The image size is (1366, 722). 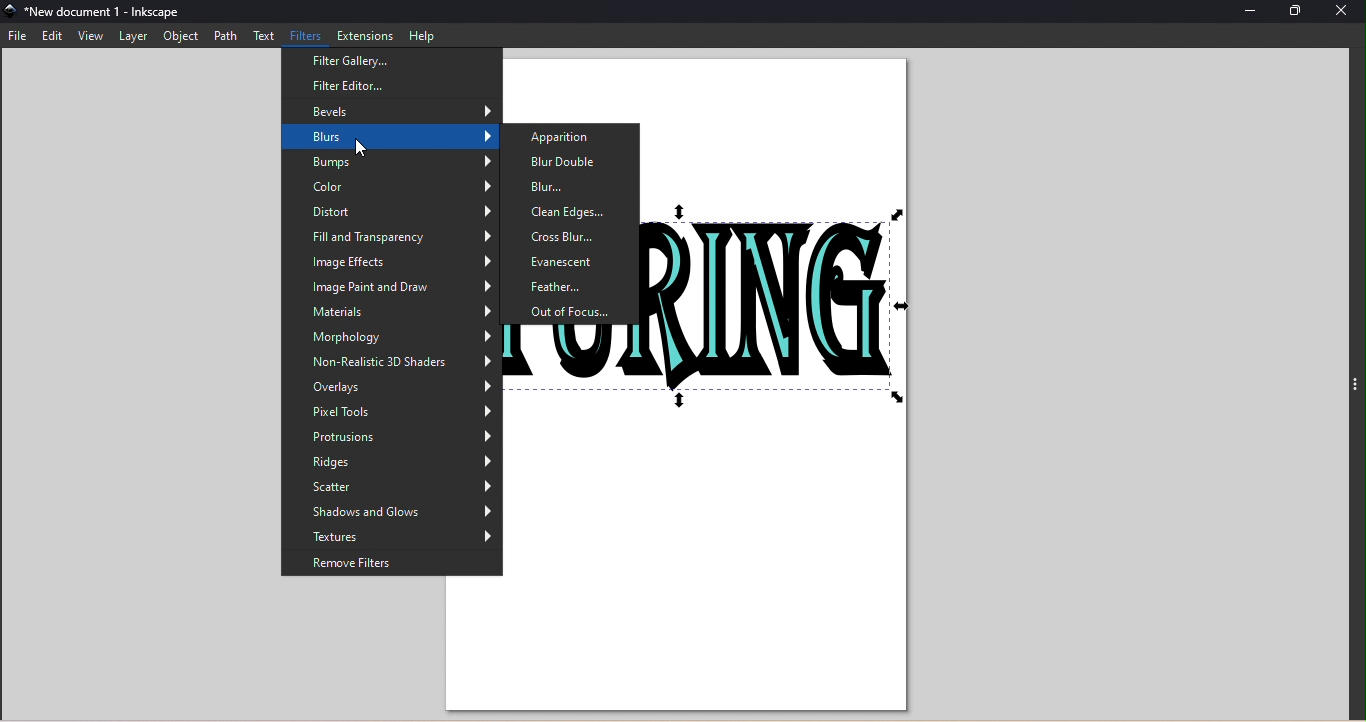 I want to click on Fill and Transparancy, so click(x=390, y=233).